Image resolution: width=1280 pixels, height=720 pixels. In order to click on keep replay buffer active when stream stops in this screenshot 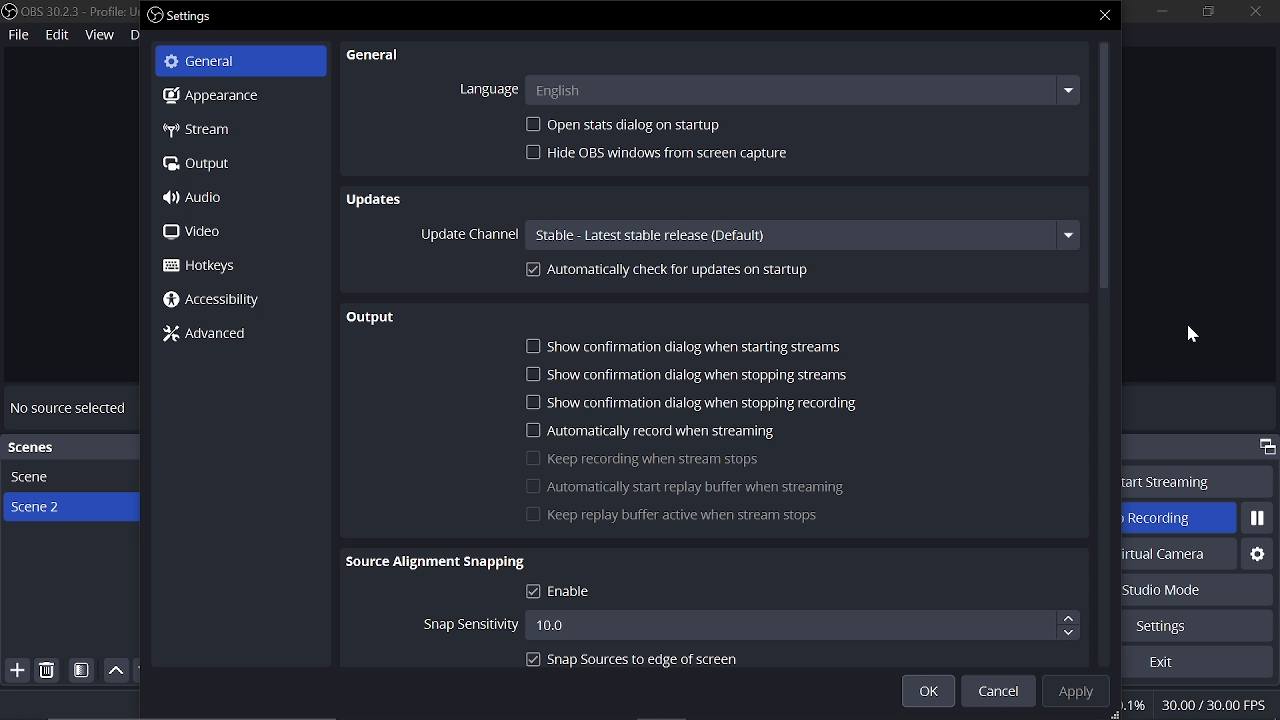, I will do `click(666, 515)`.